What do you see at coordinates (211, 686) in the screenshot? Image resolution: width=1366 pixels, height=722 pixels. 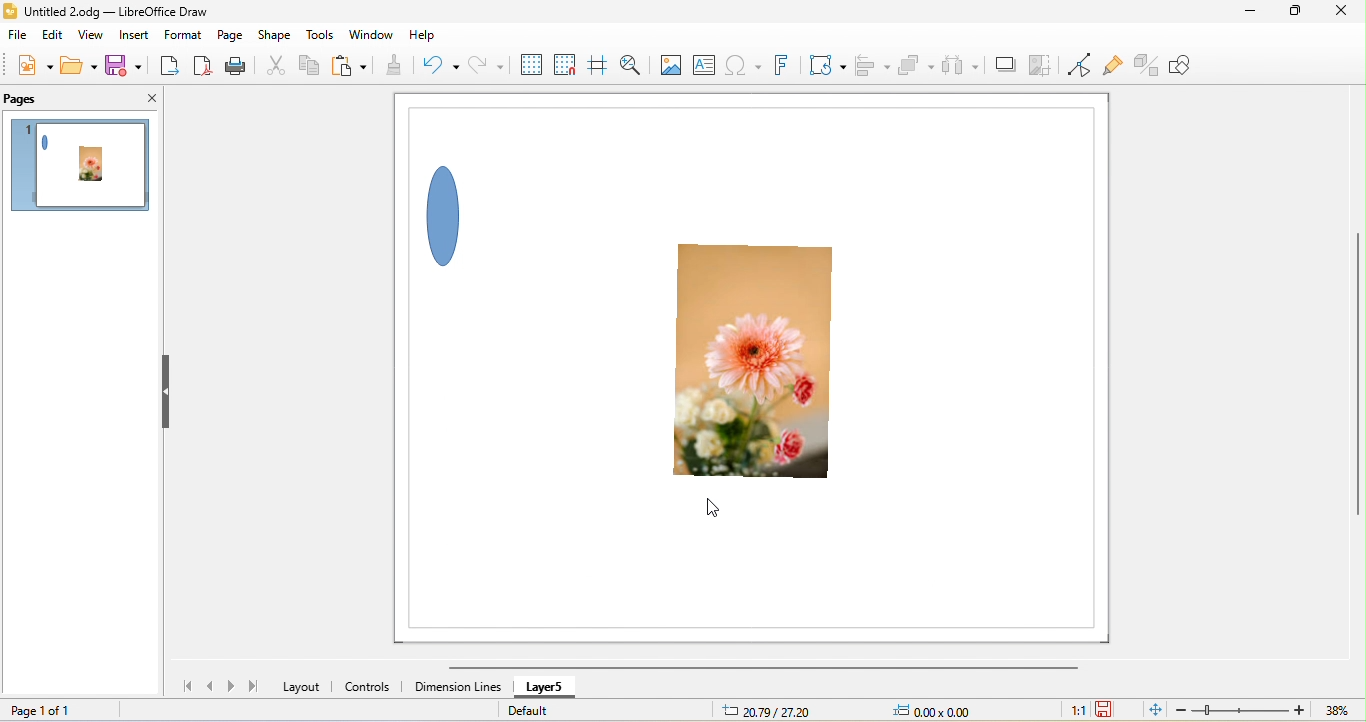 I see `previous page` at bounding box center [211, 686].